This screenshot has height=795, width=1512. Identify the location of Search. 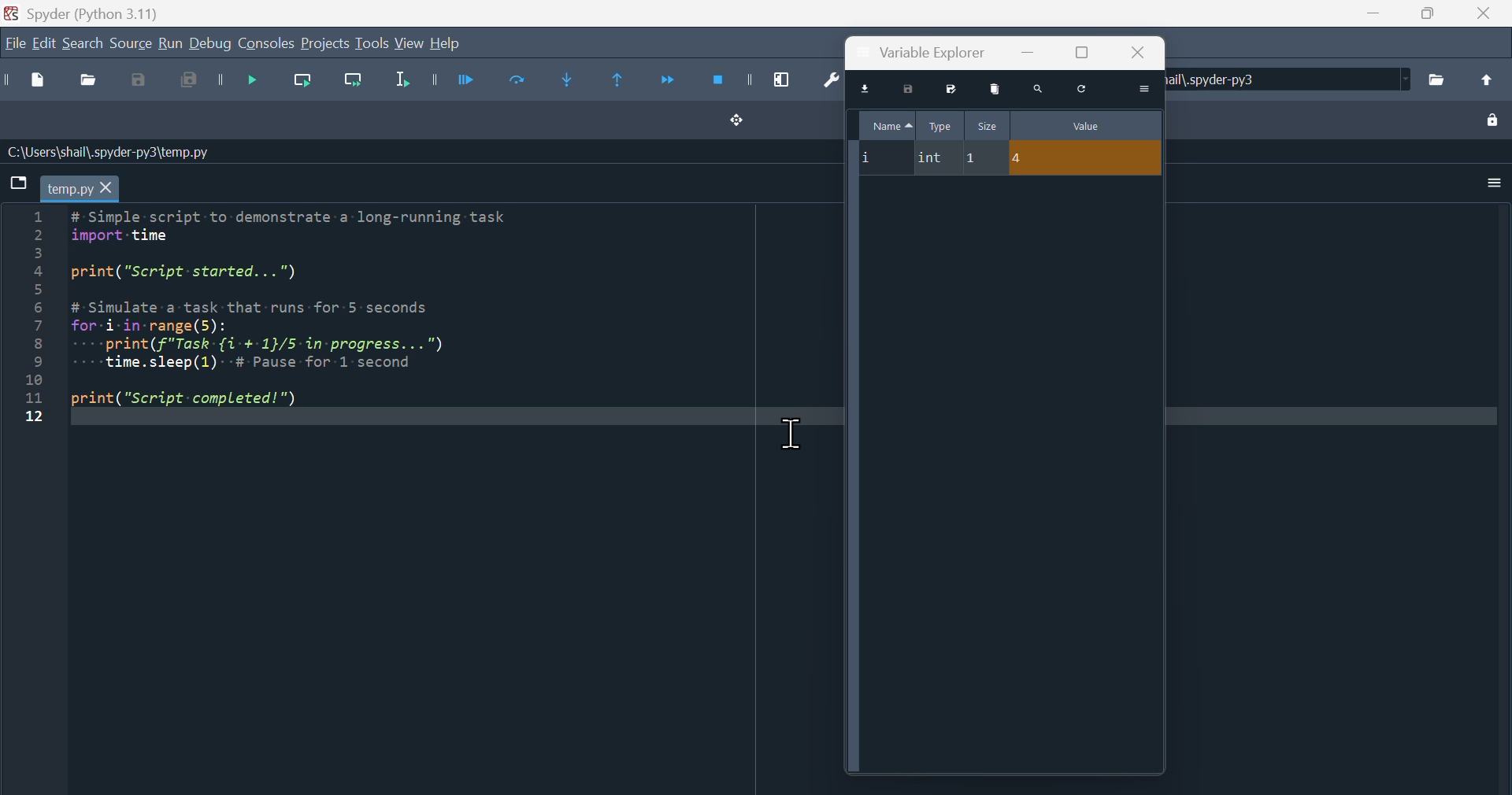
(83, 45).